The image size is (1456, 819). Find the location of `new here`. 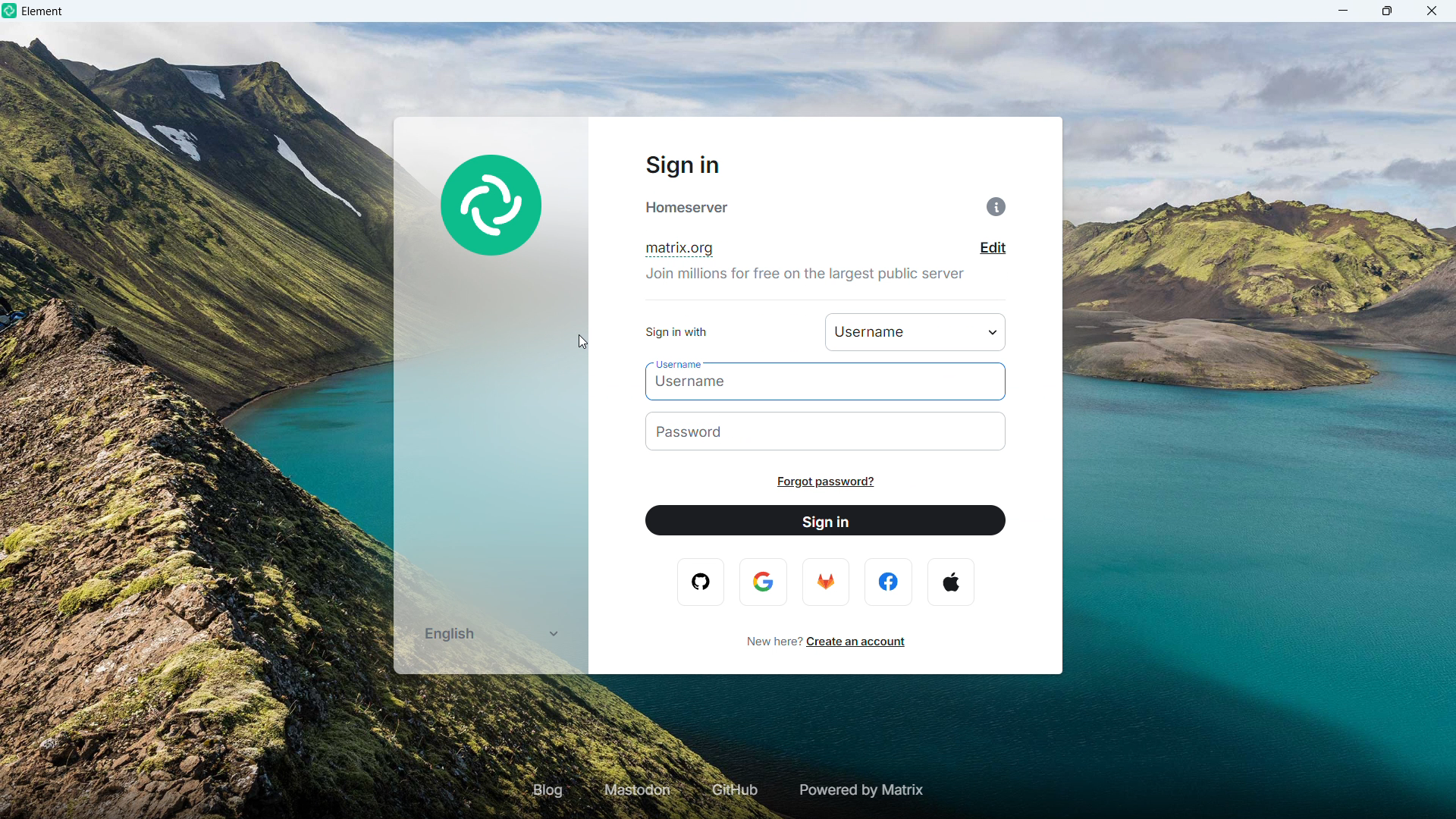

new here is located at coordinates (770, 641).